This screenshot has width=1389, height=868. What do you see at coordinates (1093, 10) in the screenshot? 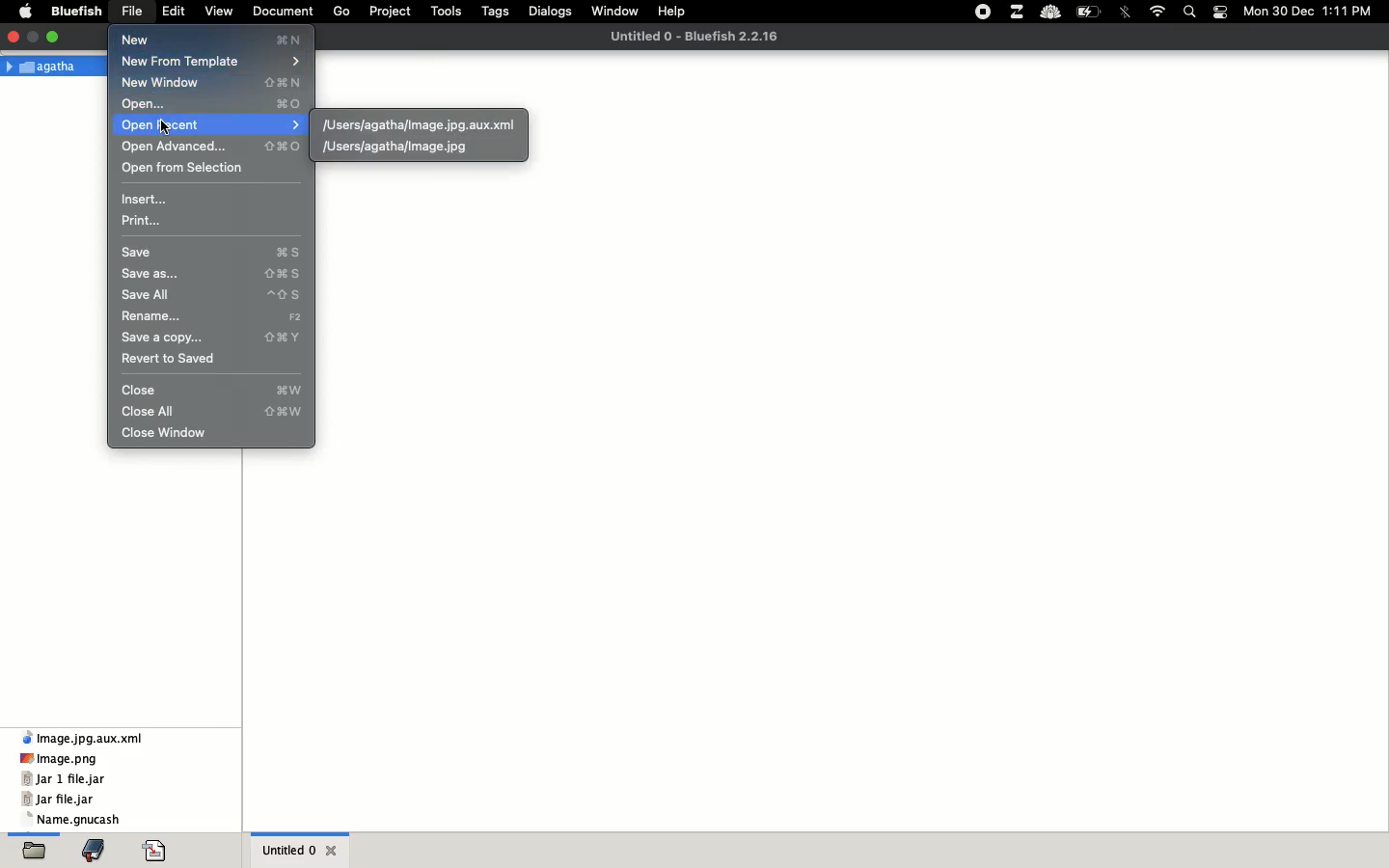
I see `charge` at bounding box center [1093, 10].